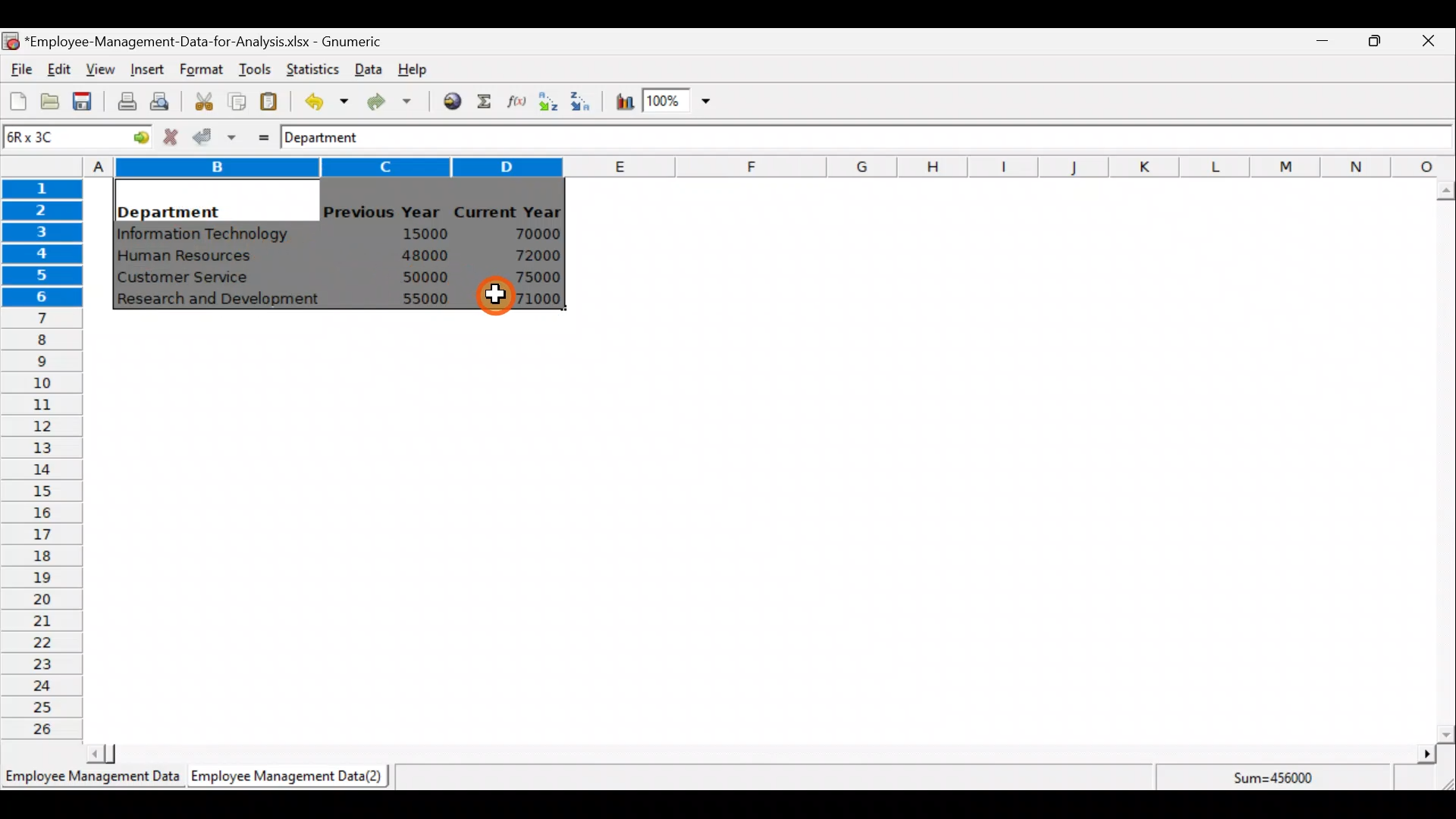 The height and width of the screenshot is (819, 1456). Describe the element at coordinates (758, 754) in the screenshot. I see `Scroll bar` at that location.